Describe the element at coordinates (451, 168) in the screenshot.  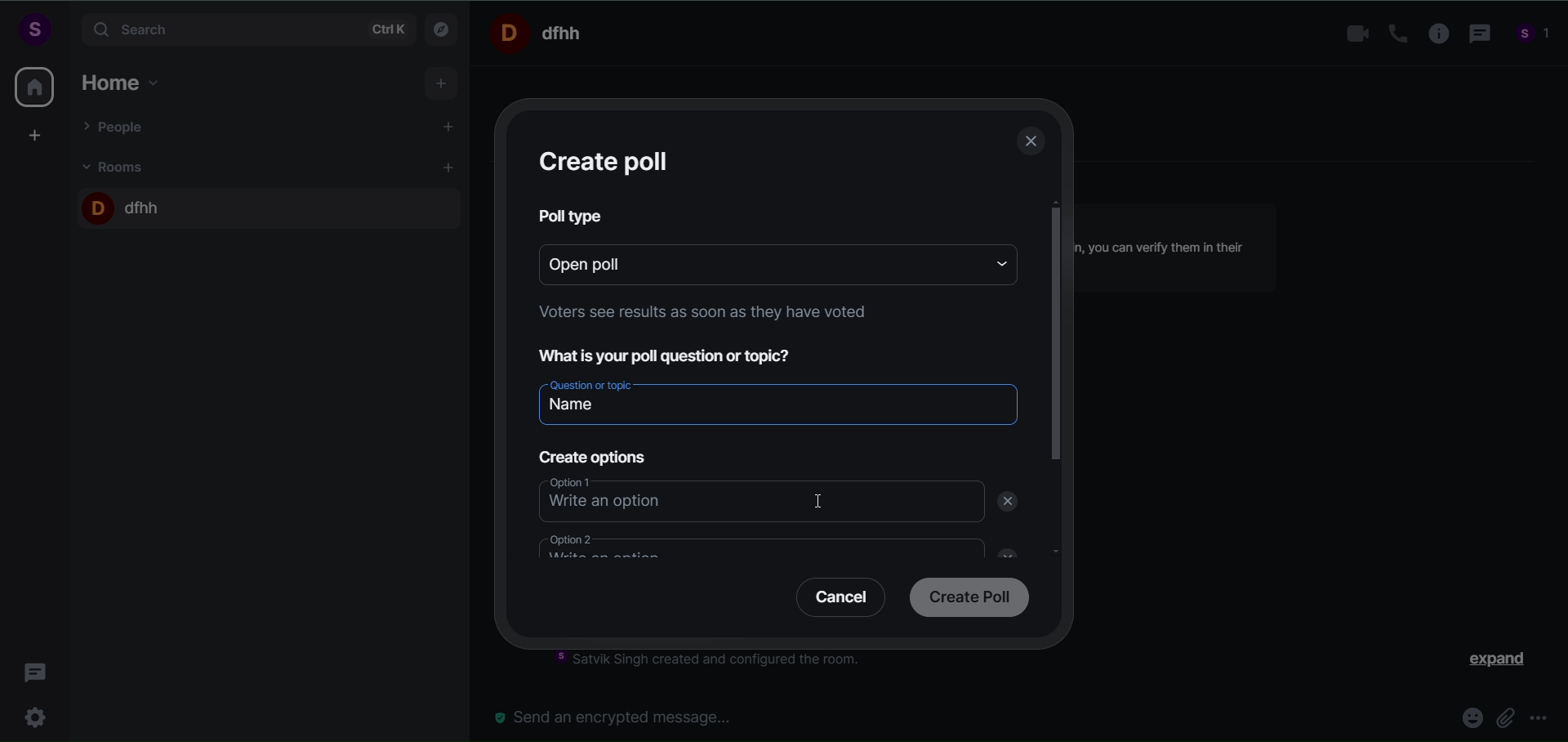
I see `add room` at that location.